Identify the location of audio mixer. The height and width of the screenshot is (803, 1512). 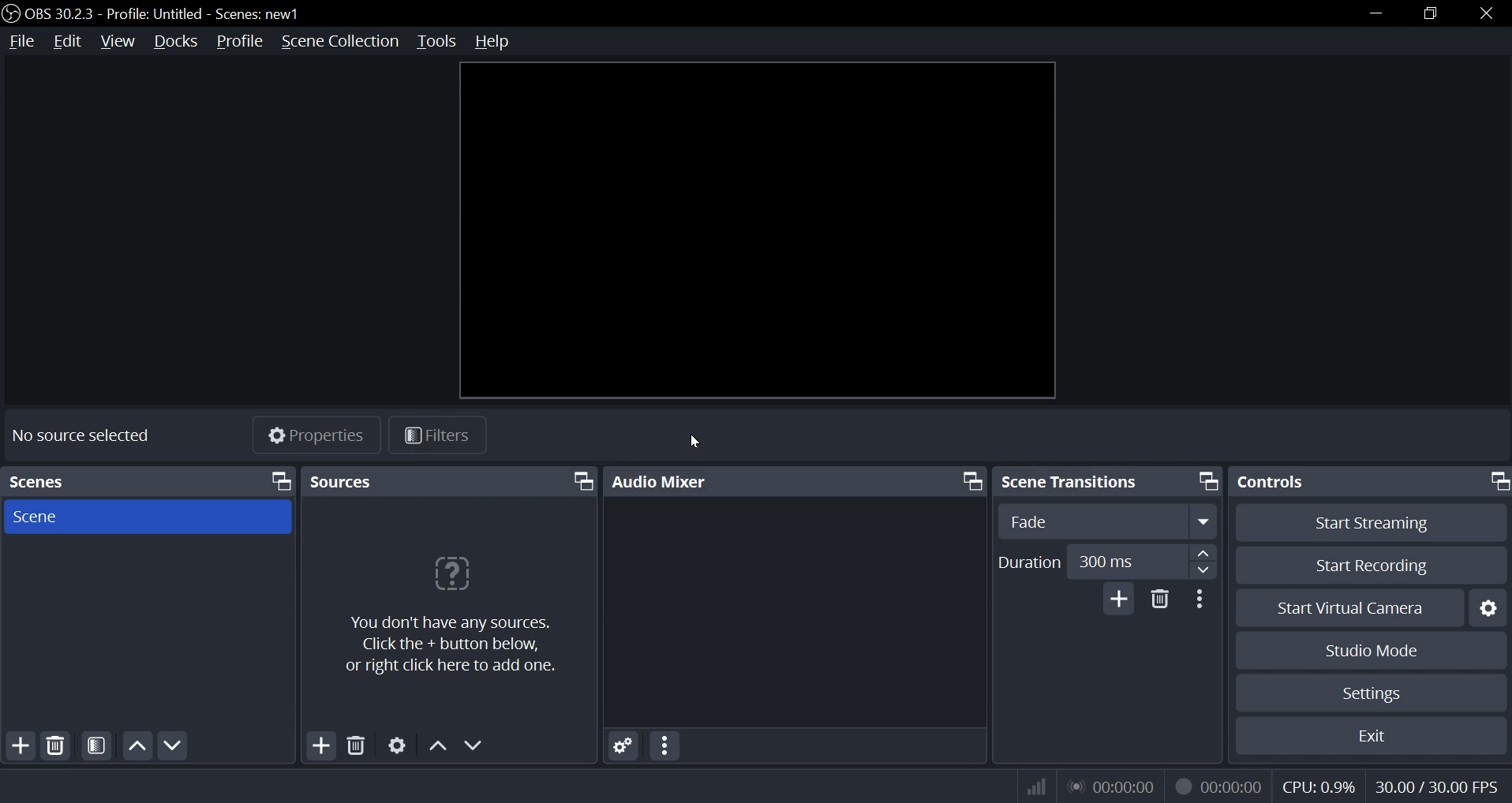
(664, 480).